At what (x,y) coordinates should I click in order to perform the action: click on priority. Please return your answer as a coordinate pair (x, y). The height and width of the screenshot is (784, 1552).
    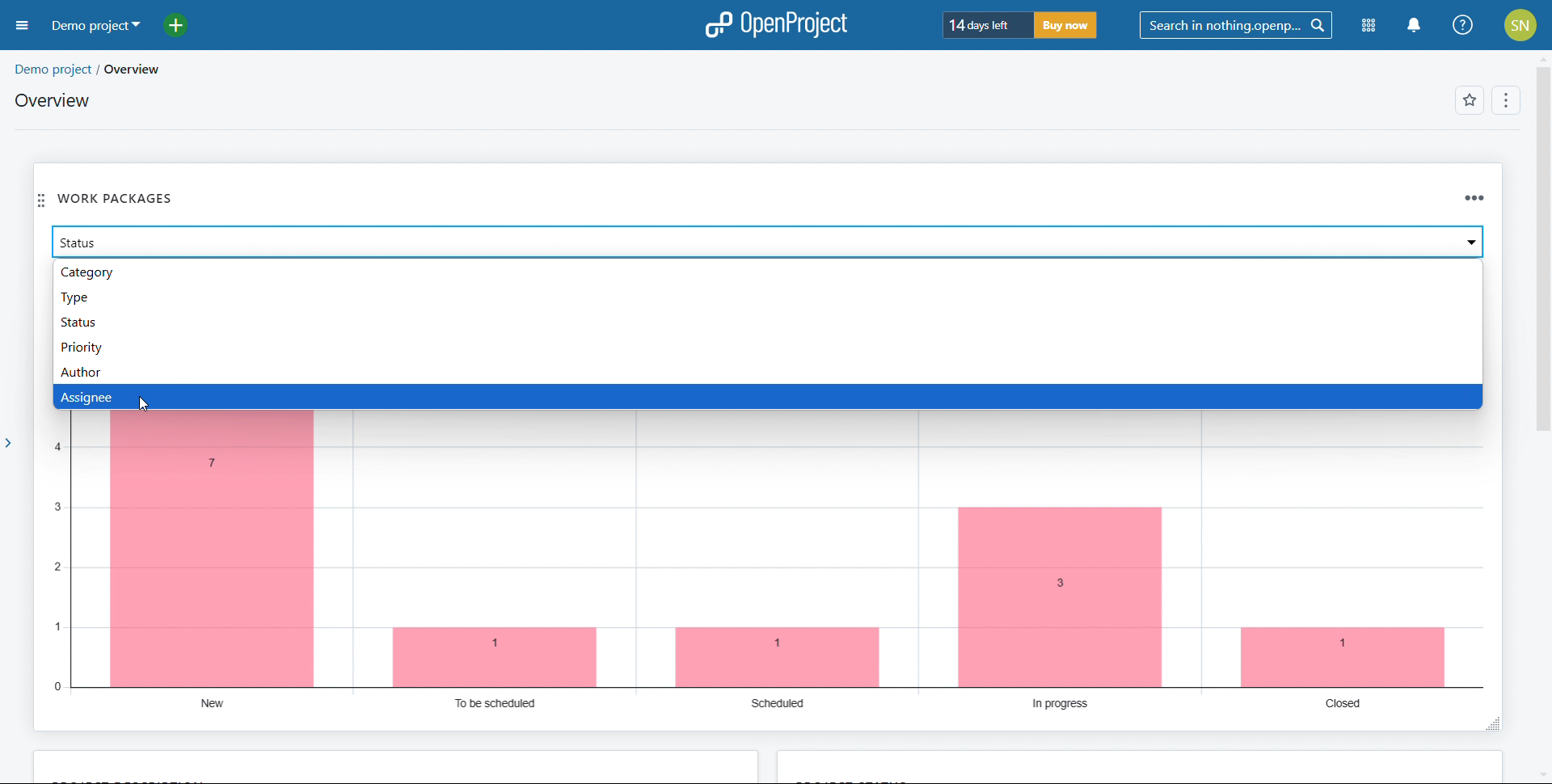
    Looking at the image, I should click on (768, 344).